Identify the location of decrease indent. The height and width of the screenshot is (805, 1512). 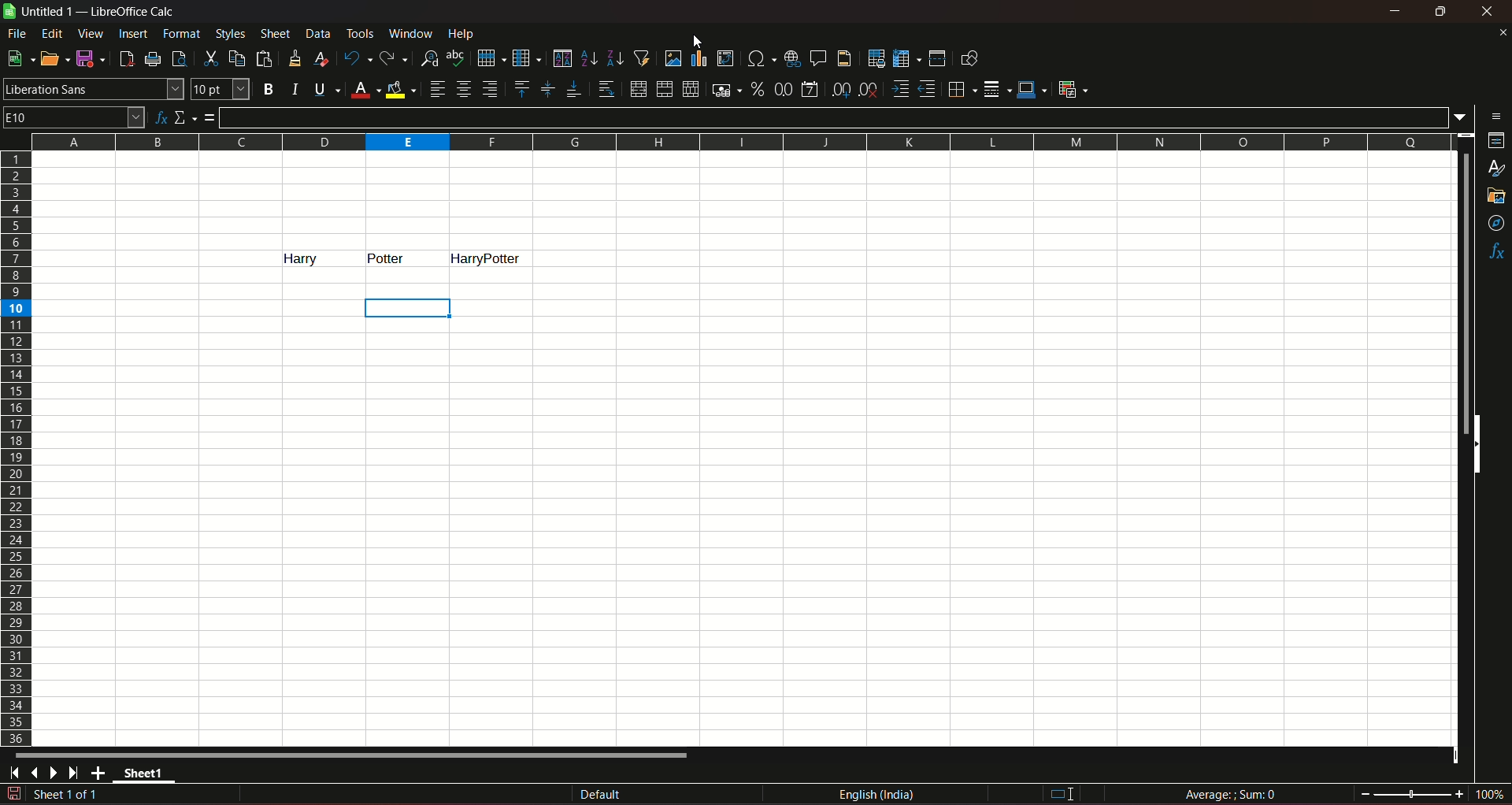
(927, 89).